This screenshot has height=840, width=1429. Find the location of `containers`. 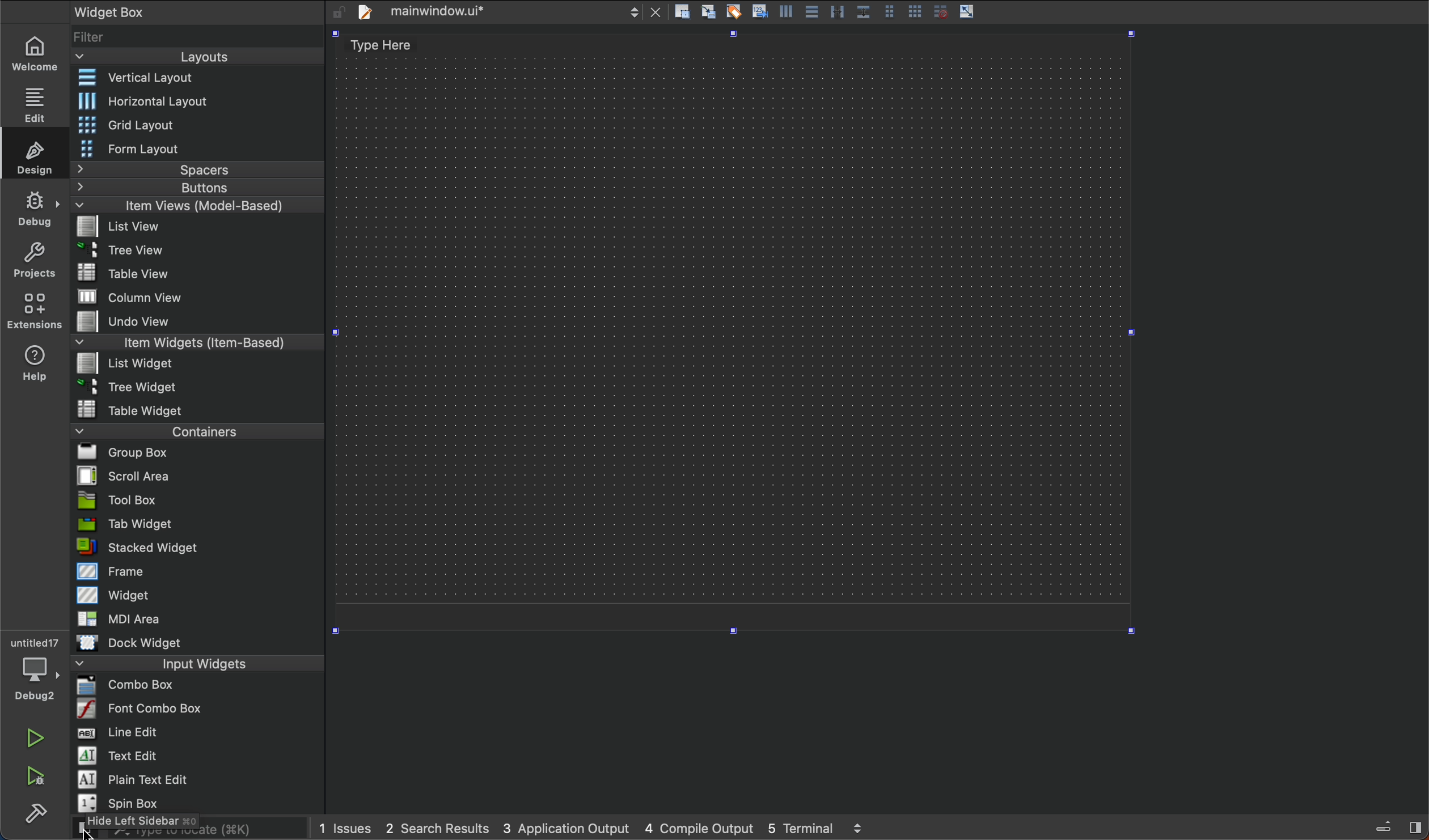

containers is located at coordinates (200, 432).